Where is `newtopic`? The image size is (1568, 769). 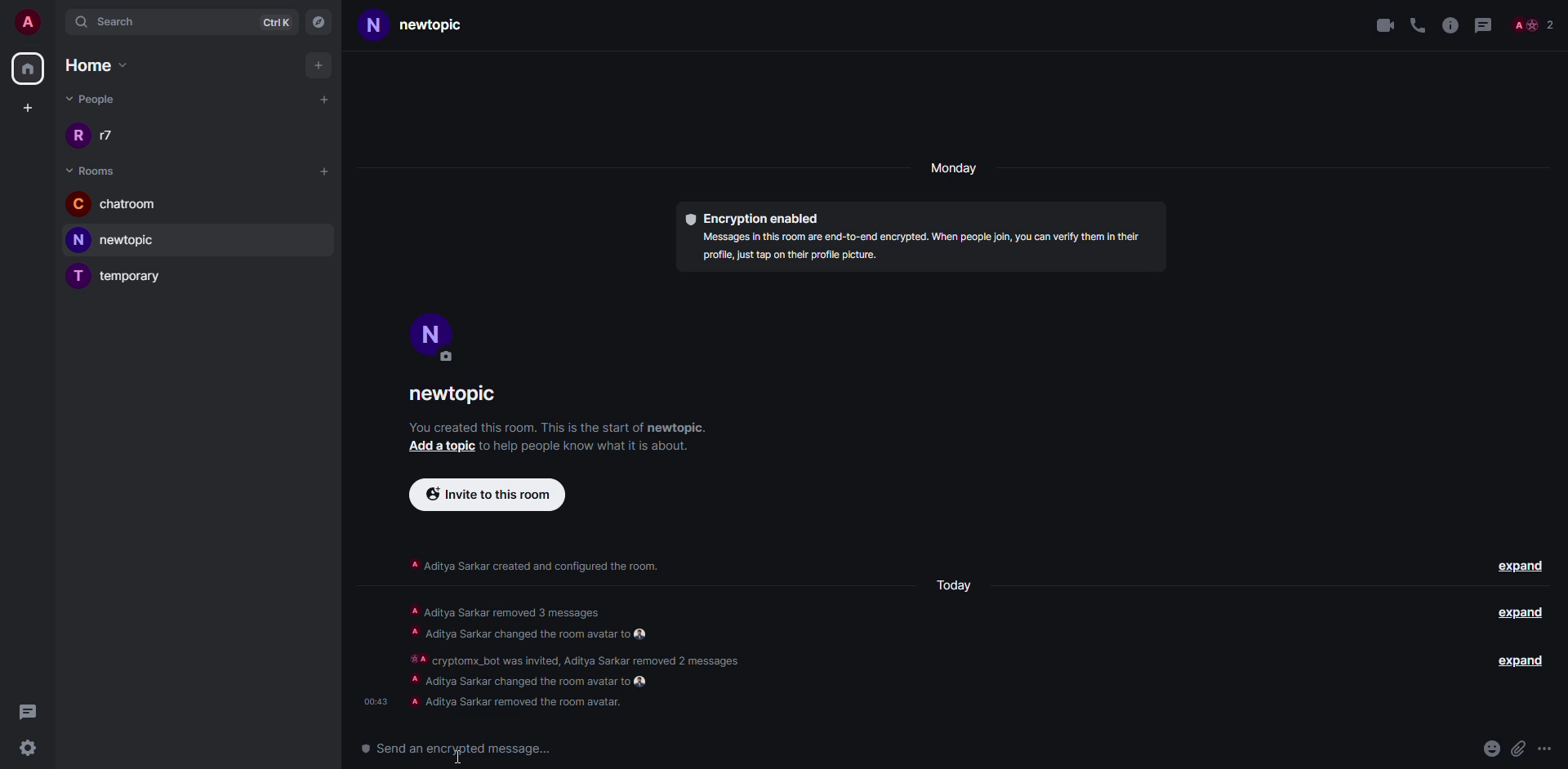 newtopic is located at coordinates (121, 240).